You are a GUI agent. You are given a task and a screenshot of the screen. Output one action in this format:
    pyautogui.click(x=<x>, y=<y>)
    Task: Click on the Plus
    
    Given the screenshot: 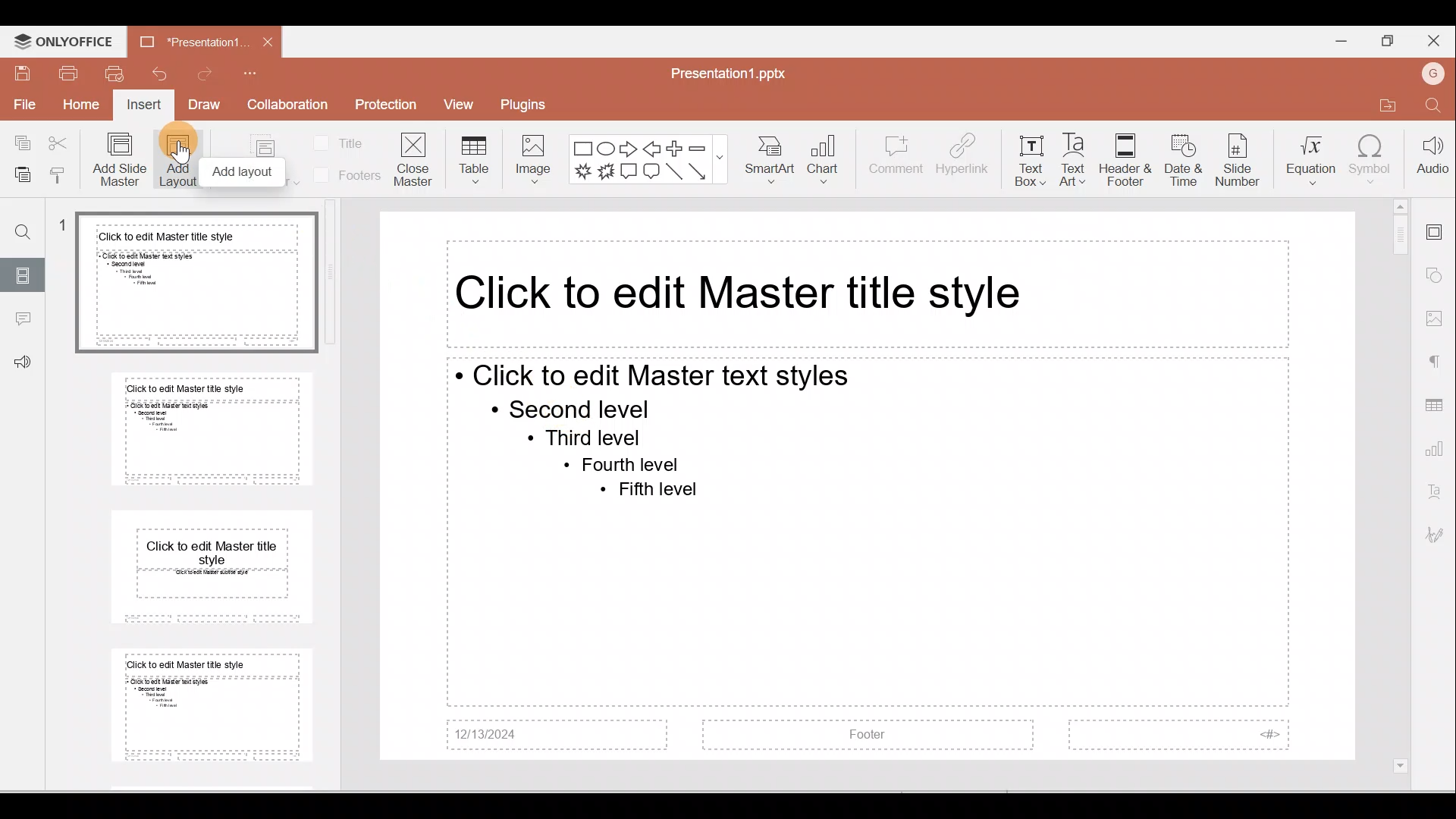 What is the action you would take?
    pyautogui.click(x=675, y=147)
    